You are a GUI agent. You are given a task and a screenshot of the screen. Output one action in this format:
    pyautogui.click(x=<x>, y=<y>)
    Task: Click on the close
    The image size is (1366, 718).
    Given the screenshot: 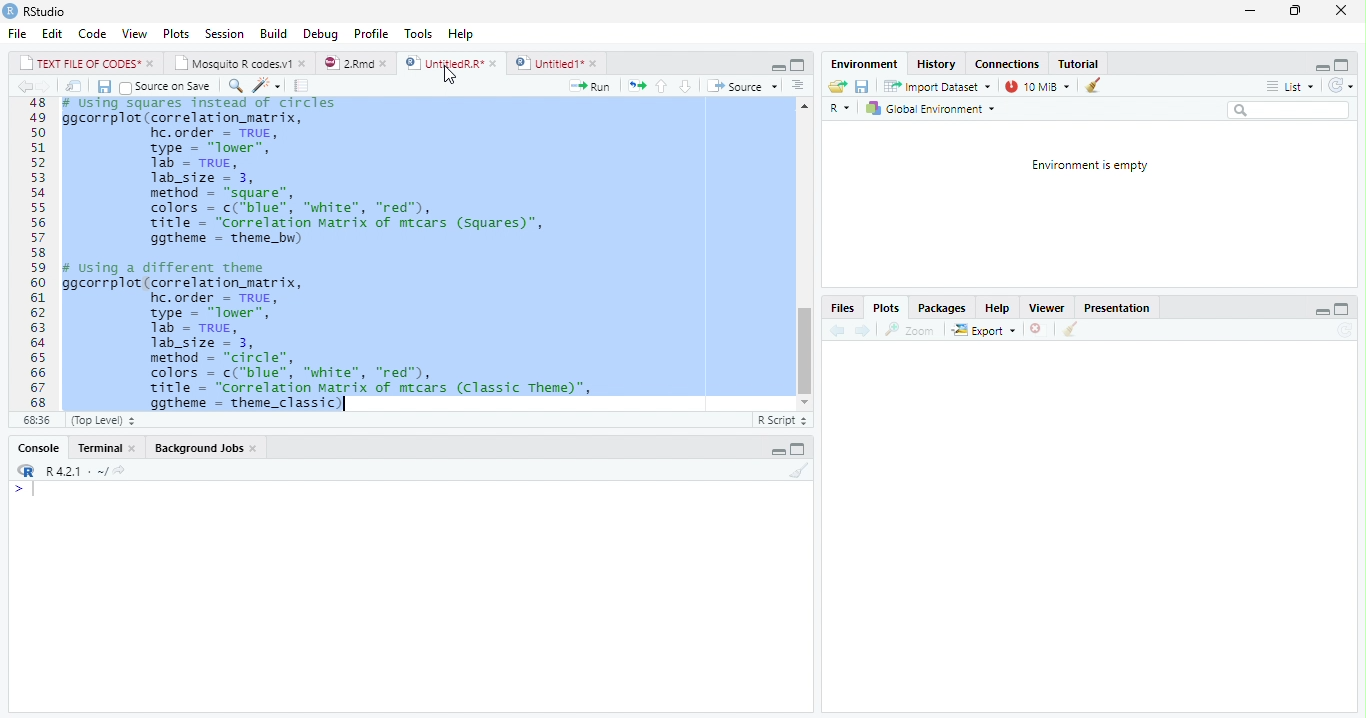 What is the action you would take?
    pyautogui.click(x=1337, y=10)
    